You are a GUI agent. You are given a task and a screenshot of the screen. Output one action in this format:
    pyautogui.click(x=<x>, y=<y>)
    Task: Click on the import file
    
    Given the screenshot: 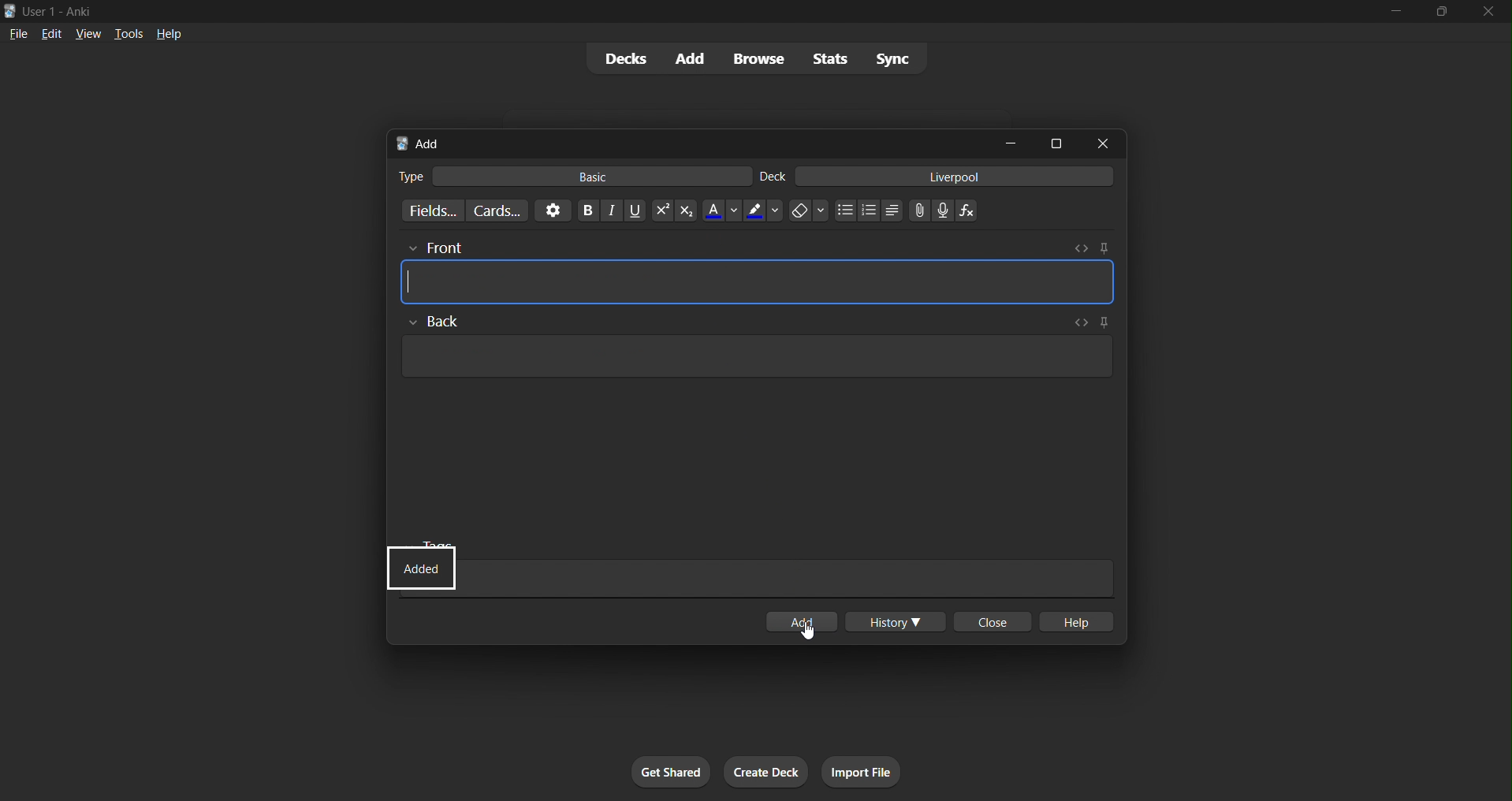 What is the action you would take?
    pyautogui.click(x=859, y=769)
    